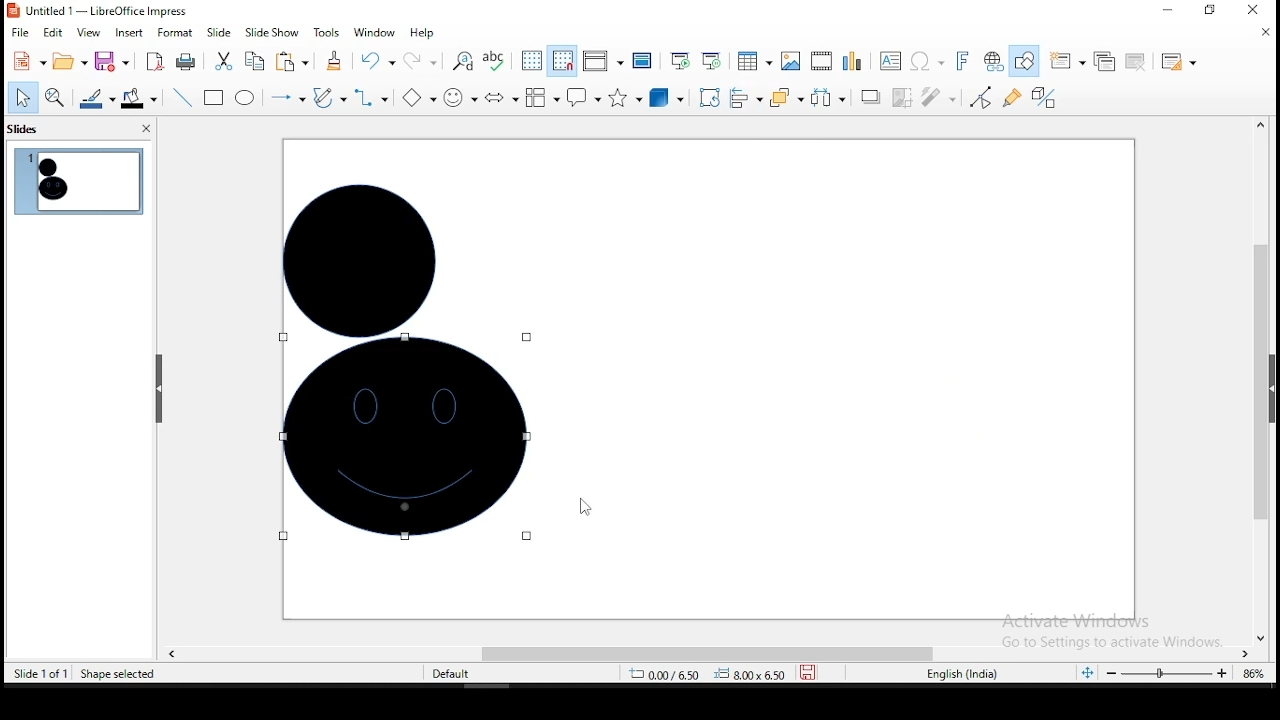  What do you see at coordinates (55, 33) in the screenshot?
I see `edit` at bounding box center [55, 33].